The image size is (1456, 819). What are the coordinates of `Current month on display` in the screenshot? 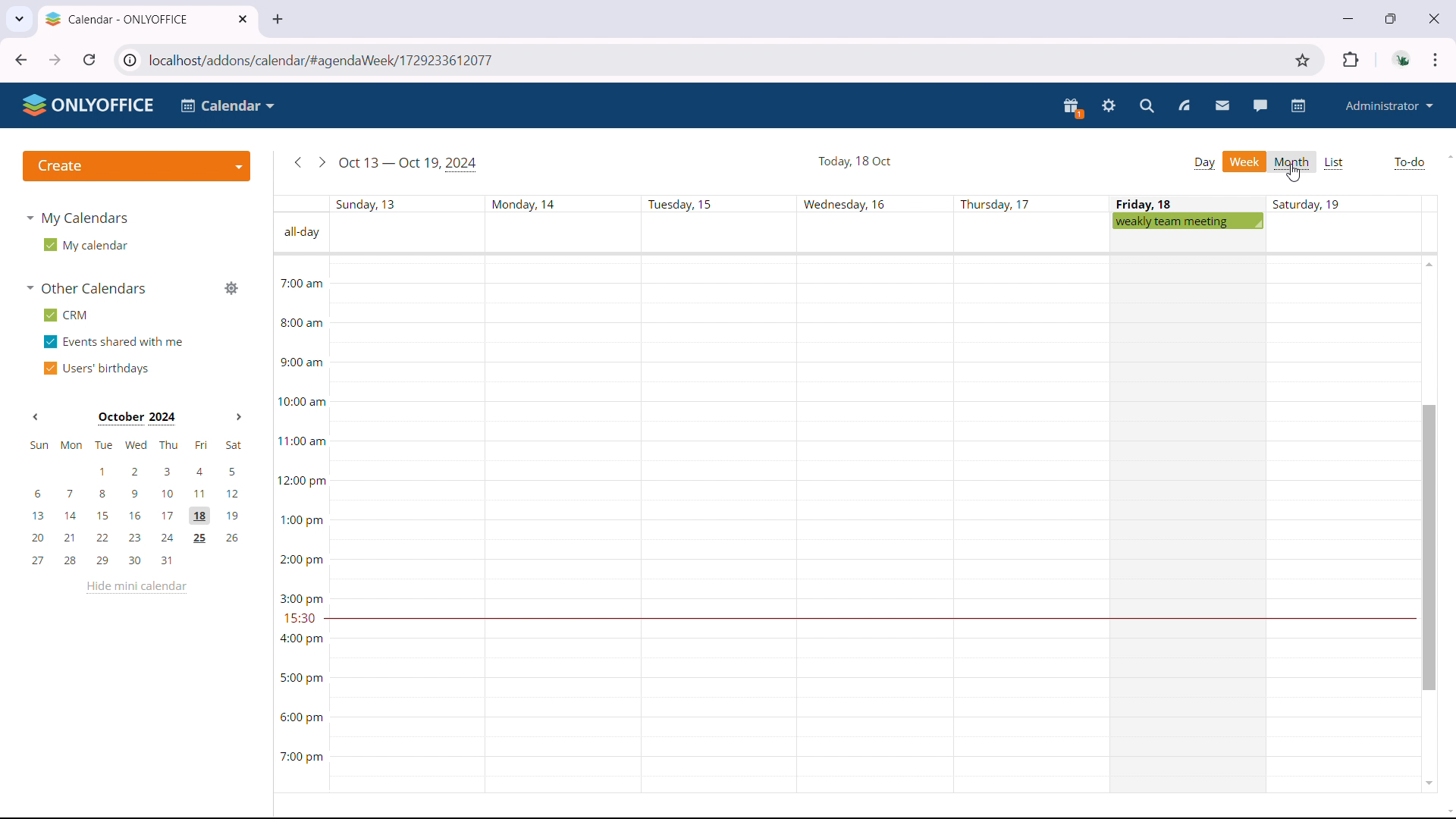 It's located at (136, 419).